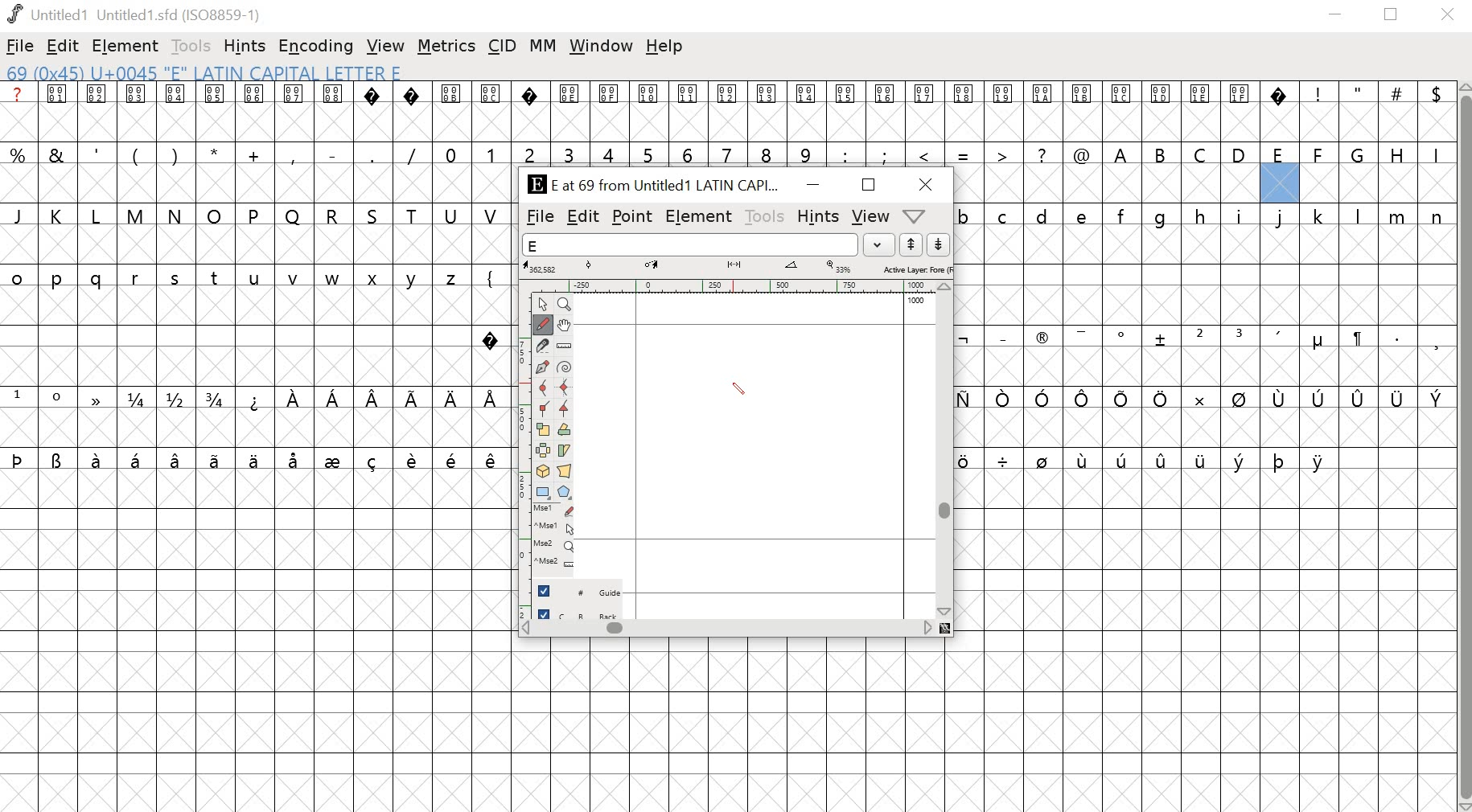 The height and width of the screenshot is (812, 1472). What do you see at coordinates (1392, 15) in the screenshot?
I see `restore down` at bounding box center [1392, 15].